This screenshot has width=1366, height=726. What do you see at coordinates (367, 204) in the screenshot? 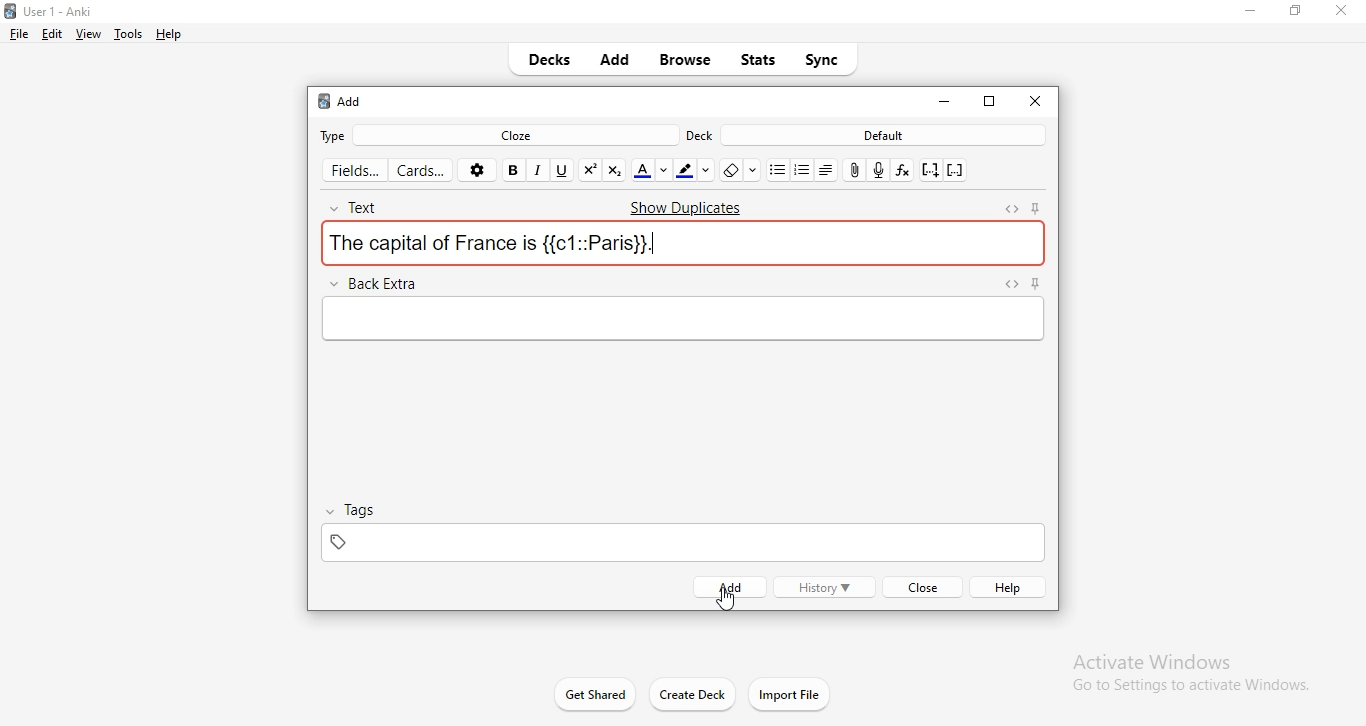
I see `text` at bounding box center [367, 204].